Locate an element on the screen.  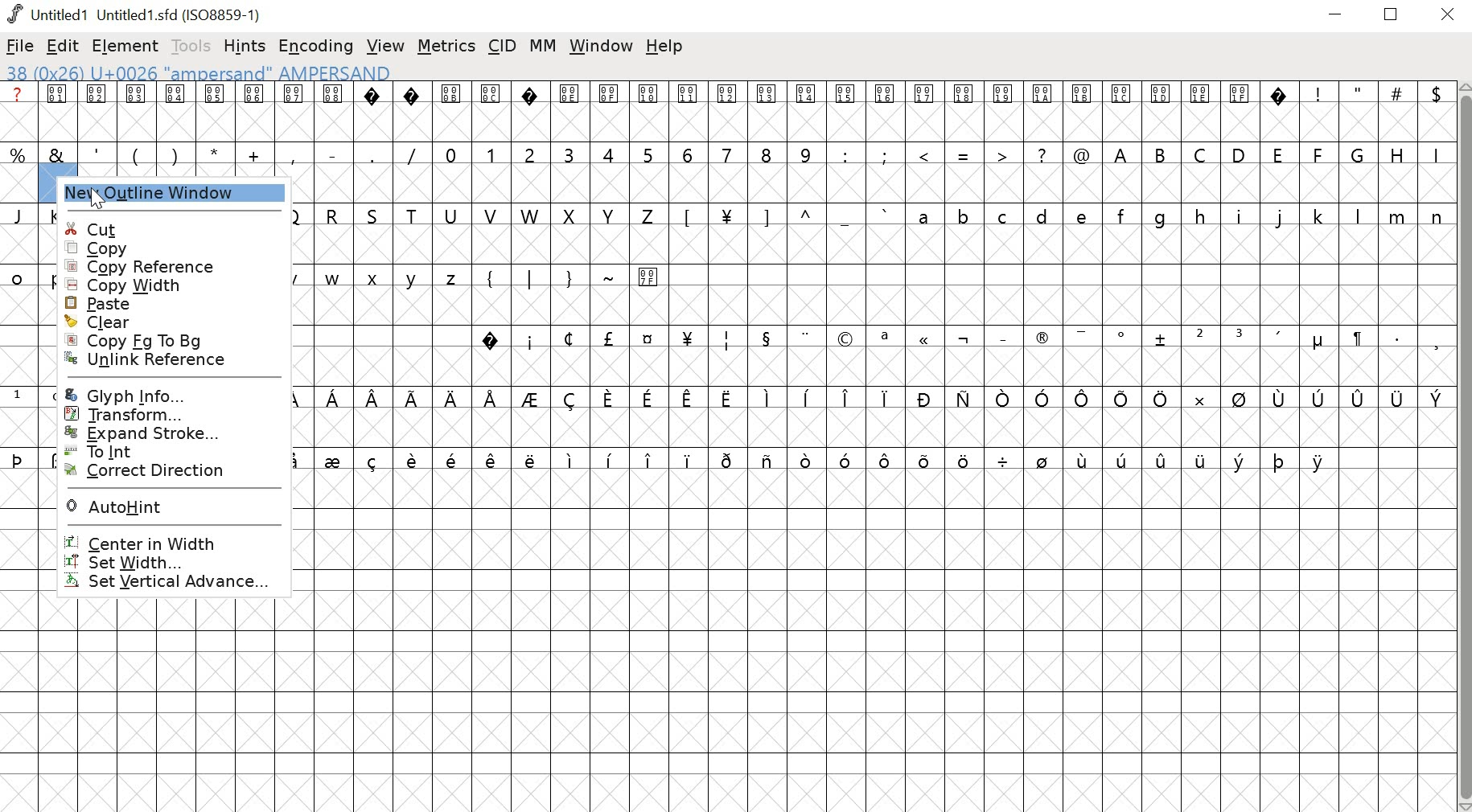
E is located at coordinates (1279, 153).